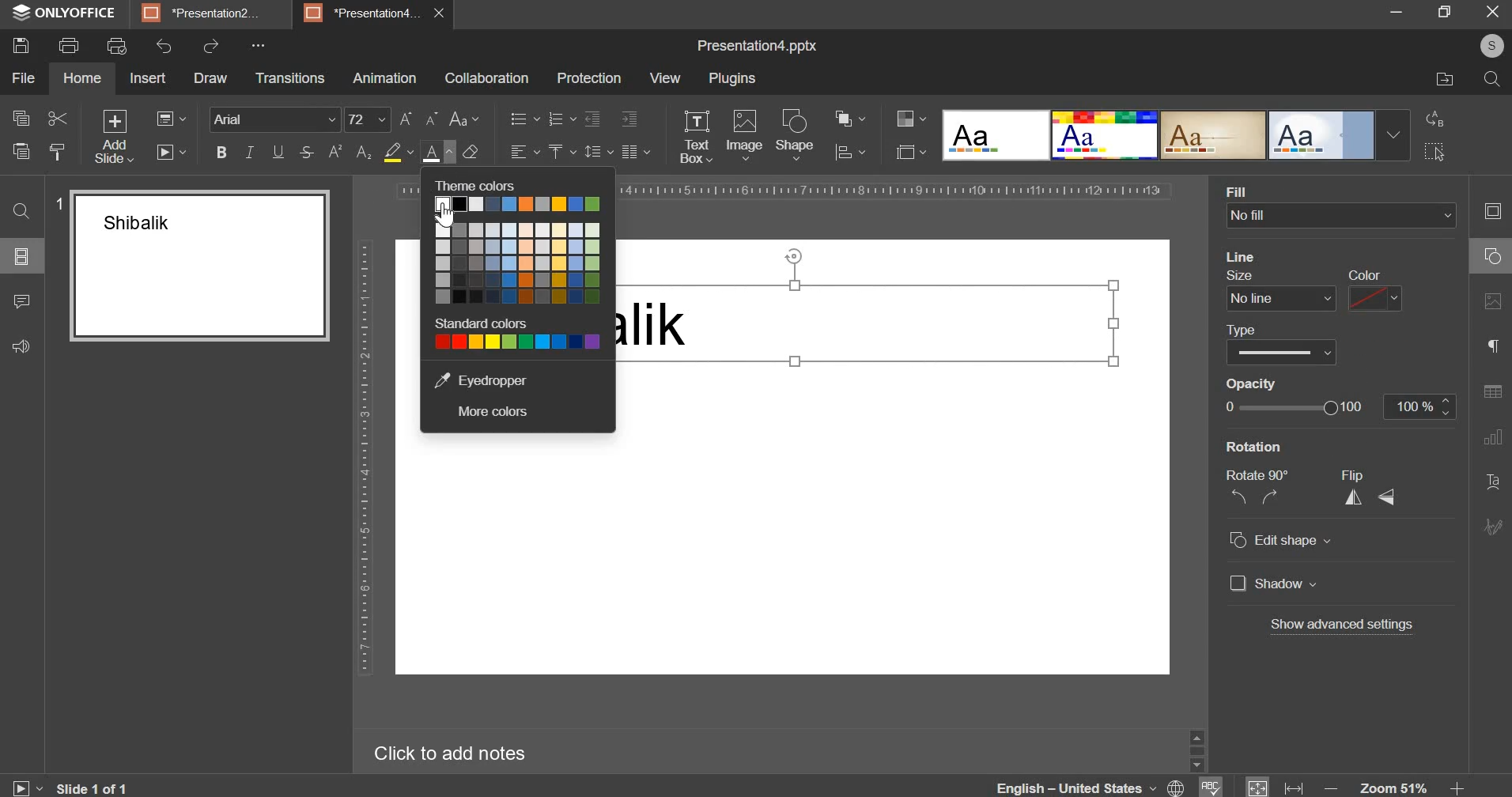 Image resolution: width=1512 pixels, height=797 pixels. What do you see at coordinates (112, 137) in the screenshot?
I see `add slides` at bounding box center [112, 137].